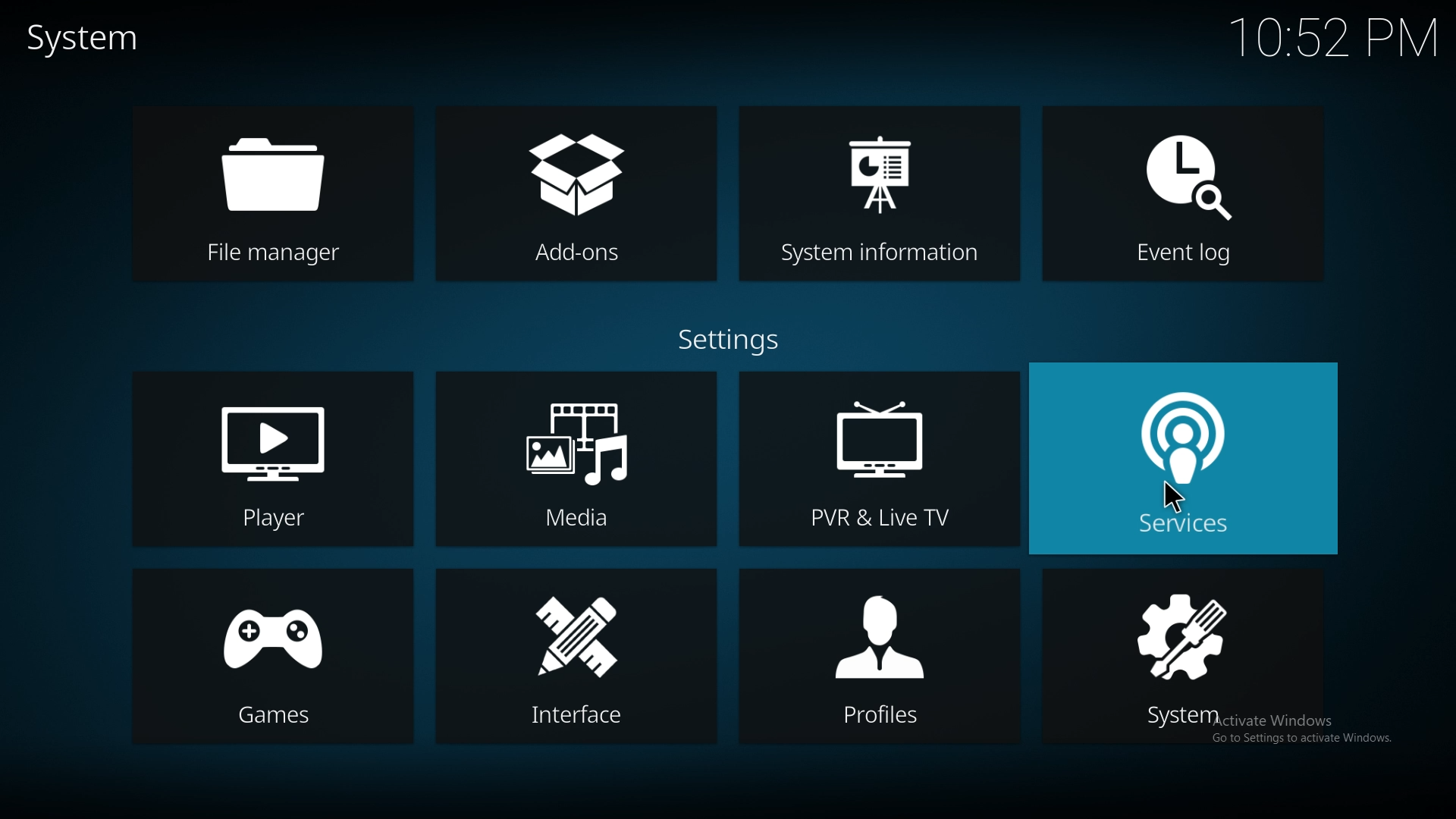  I want to click on player, so click(274, 460).